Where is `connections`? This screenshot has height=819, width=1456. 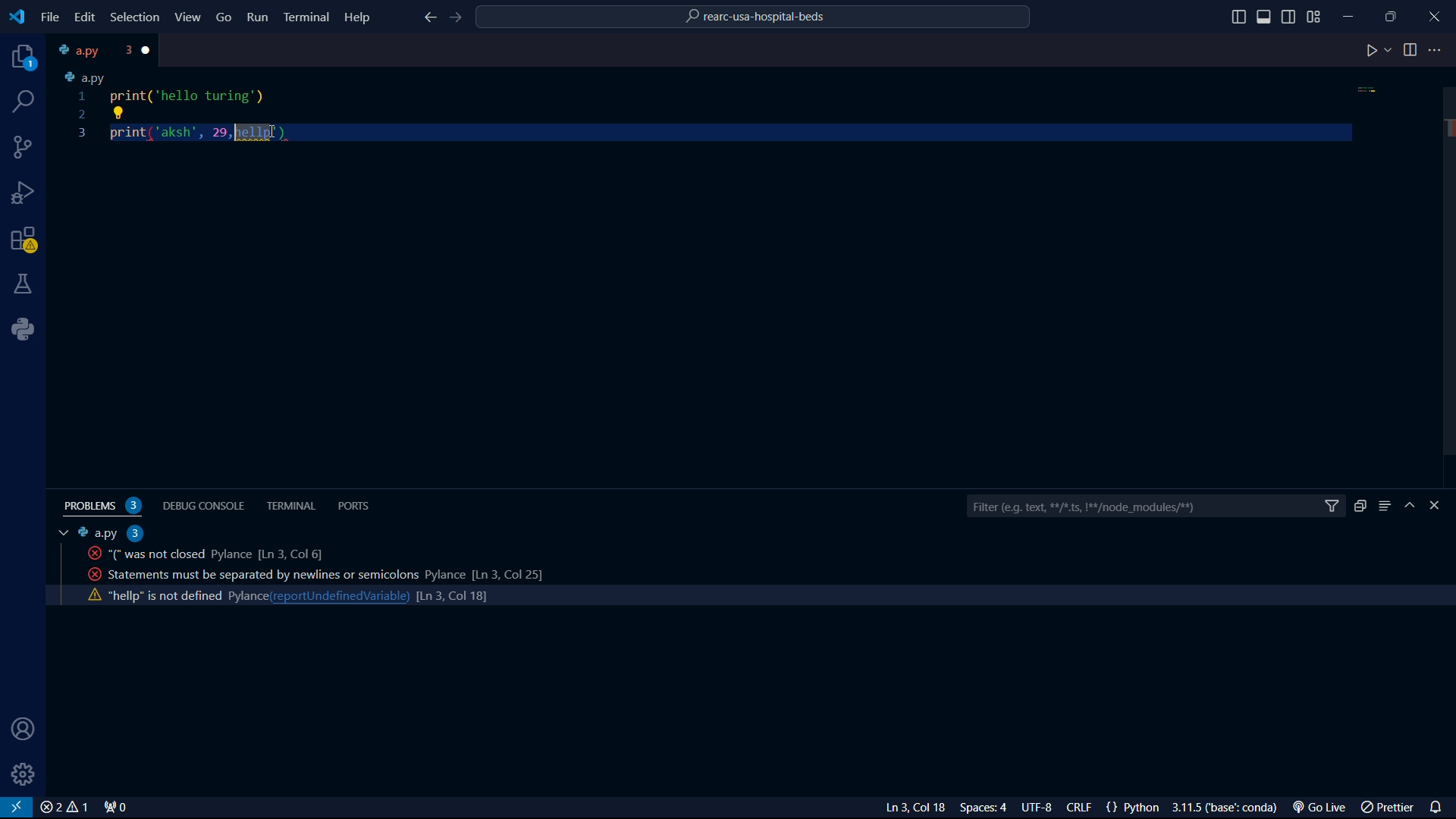
connections is located at coordinates (24, 147).